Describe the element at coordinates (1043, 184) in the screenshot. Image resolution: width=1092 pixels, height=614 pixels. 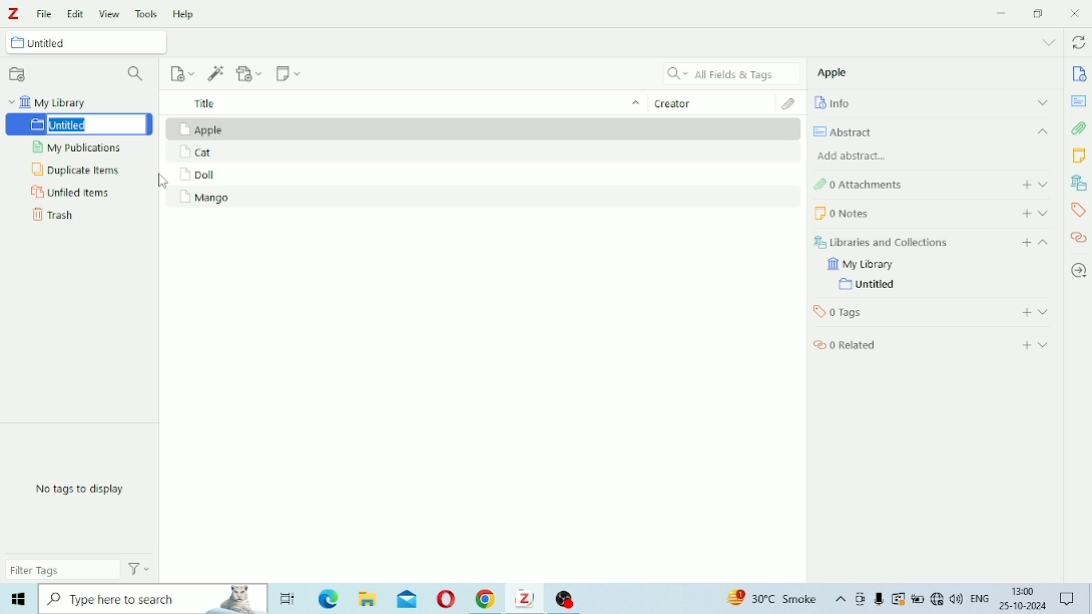
I see `Expand section` at that location.